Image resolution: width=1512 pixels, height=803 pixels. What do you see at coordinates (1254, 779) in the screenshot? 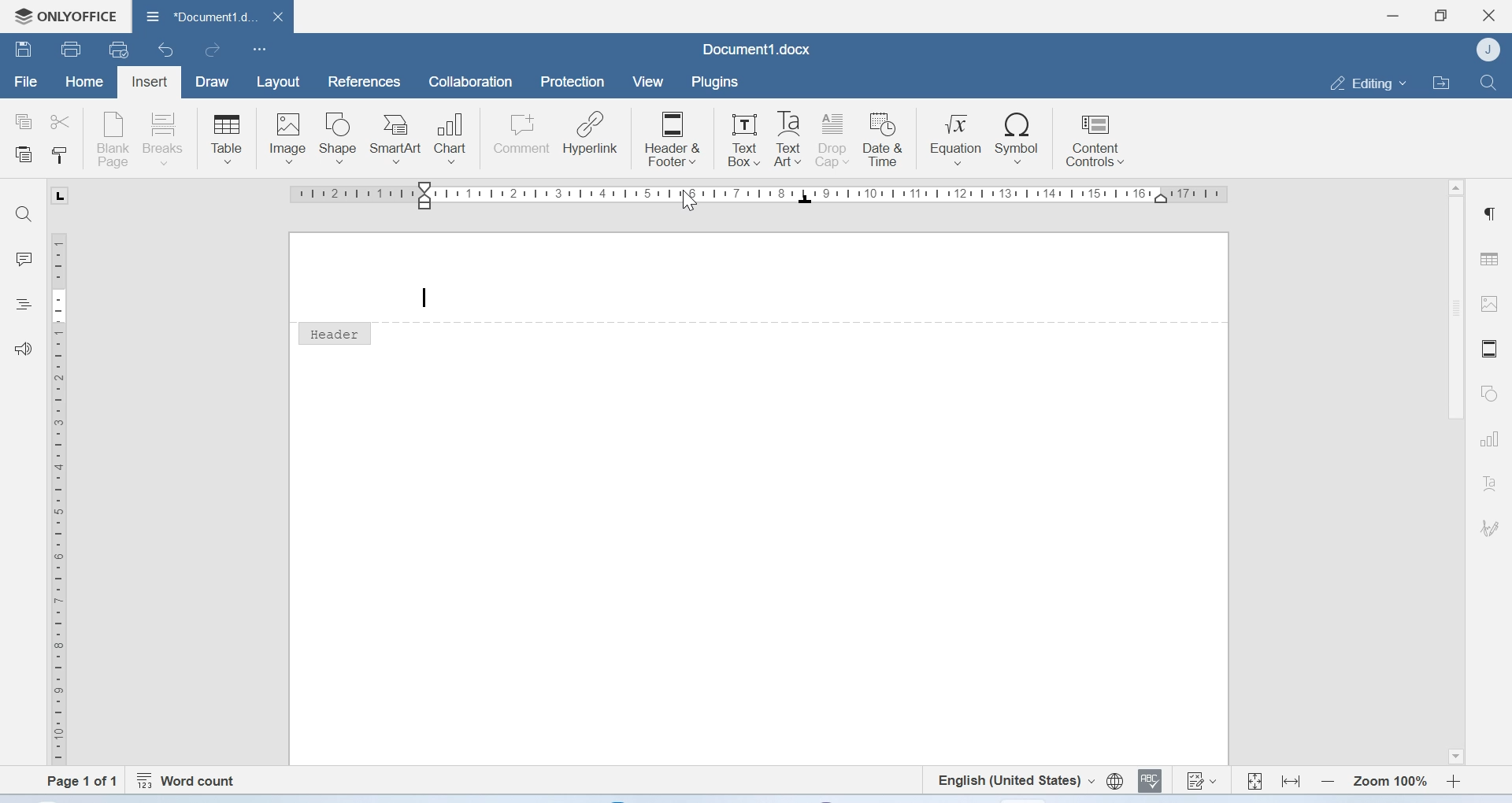
I see `Fit to page` at bounding box center [1254, 779].